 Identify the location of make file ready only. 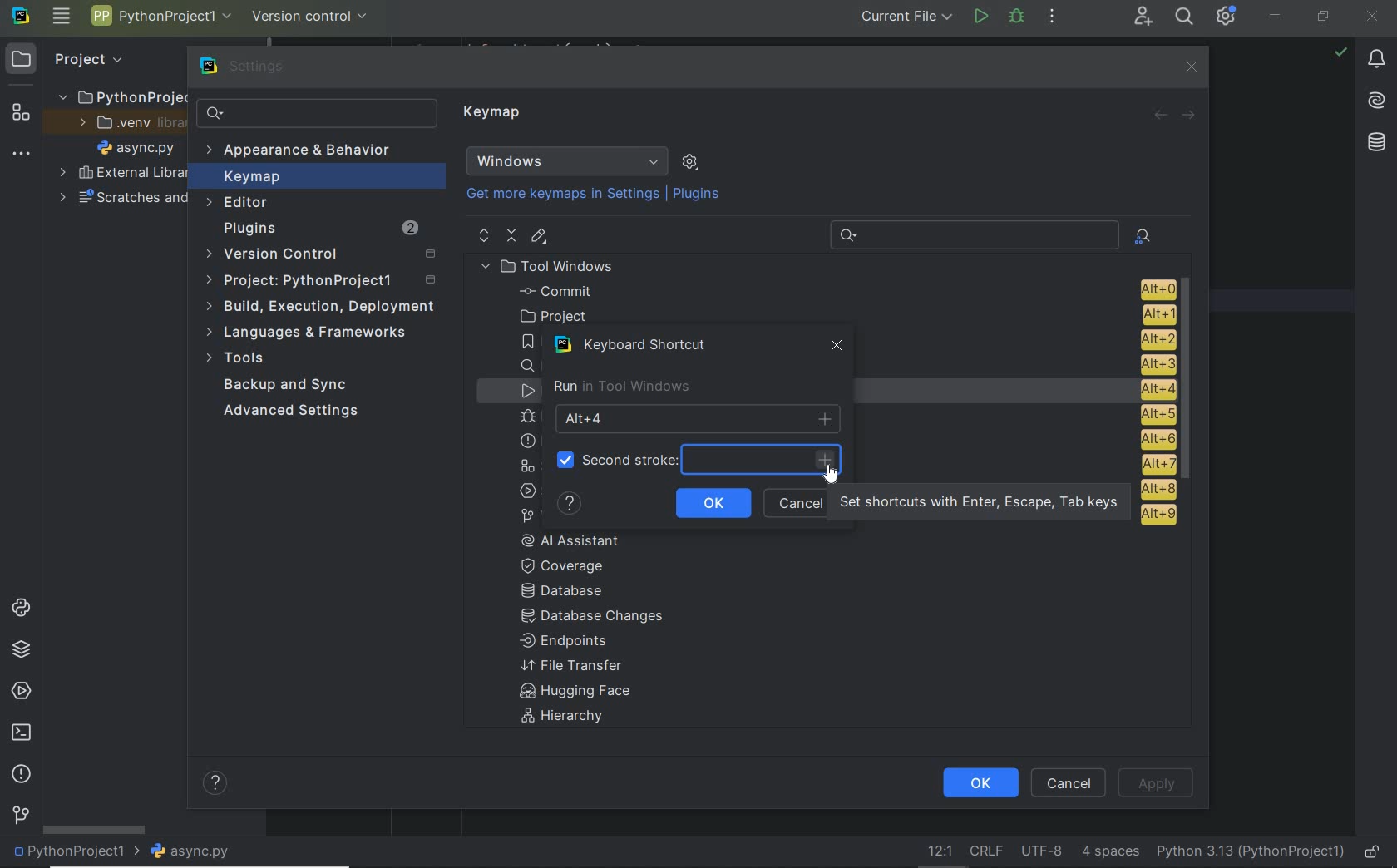
(1372, 853).